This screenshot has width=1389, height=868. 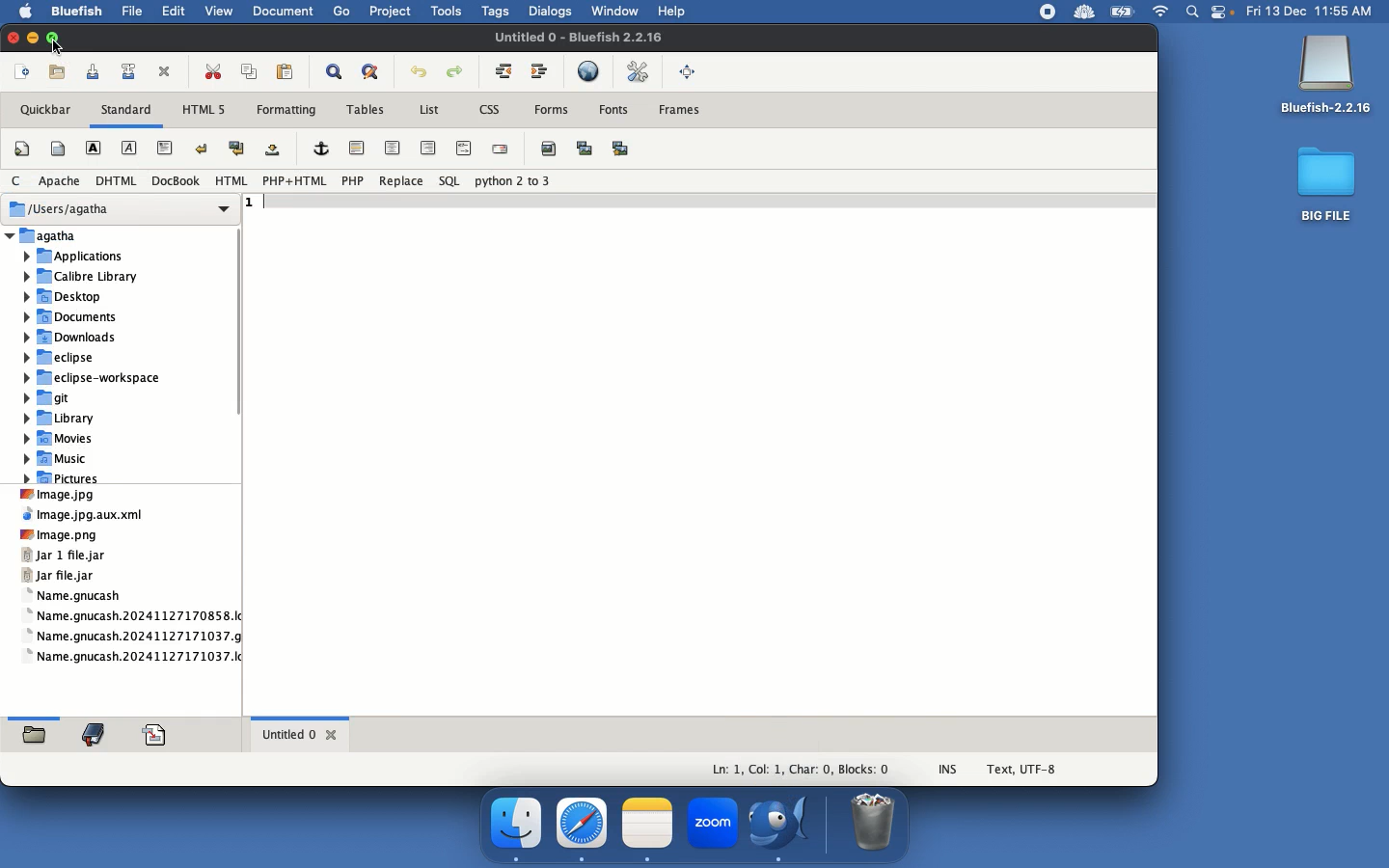 What do you see at coordinates (65, 420) in the screenshot?
I see `library` at bounding box center [65, 420].